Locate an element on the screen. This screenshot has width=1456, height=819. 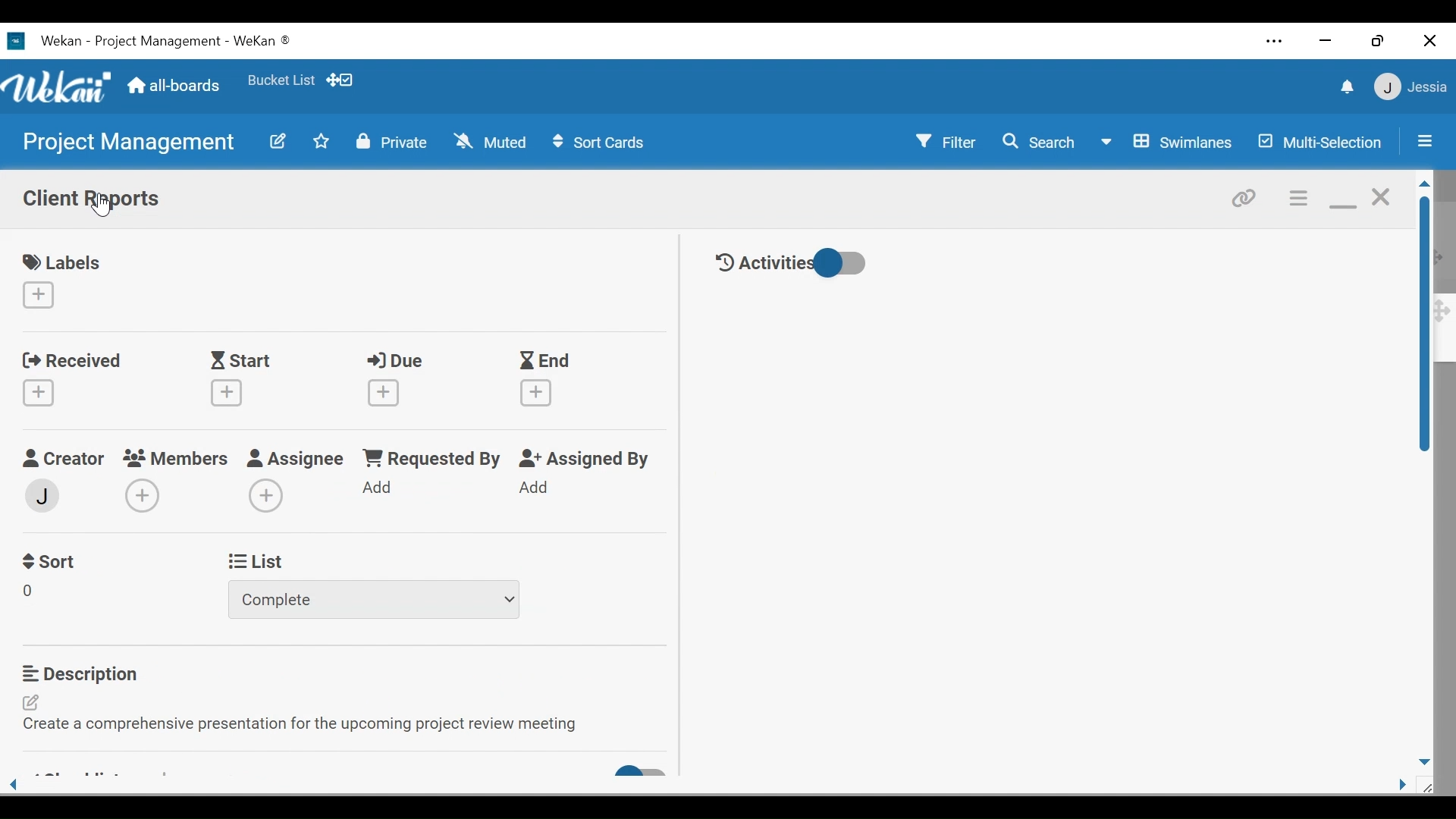
Close is located at coordinates (1427, 39).